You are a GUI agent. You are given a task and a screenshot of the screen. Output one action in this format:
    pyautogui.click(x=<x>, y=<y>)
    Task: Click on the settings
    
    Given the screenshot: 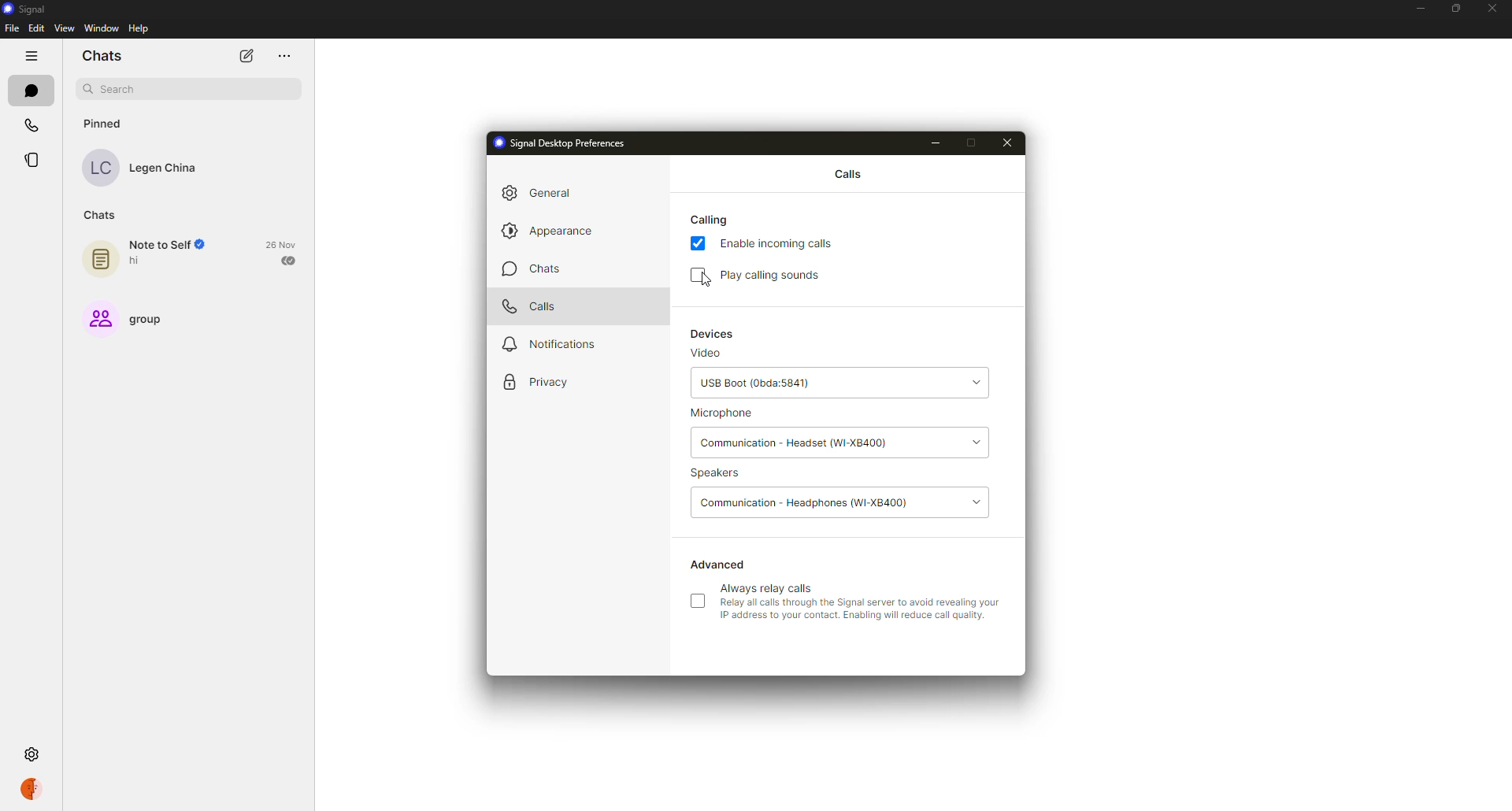 What is the action you would take?
    pyautogui.click(x=31, y=754)
    